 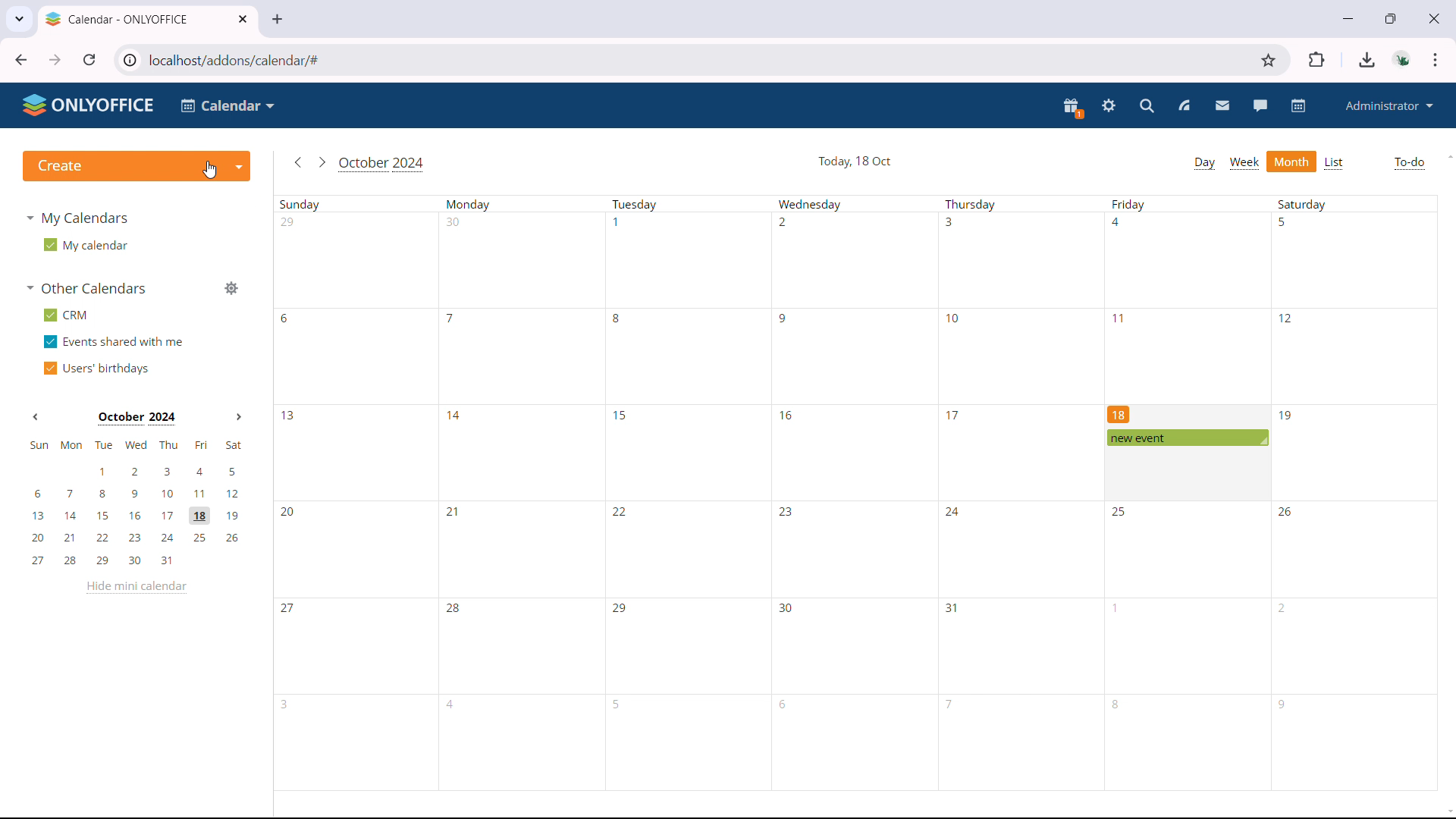 I want to click on scroll up, so click(x=1447, y=155).